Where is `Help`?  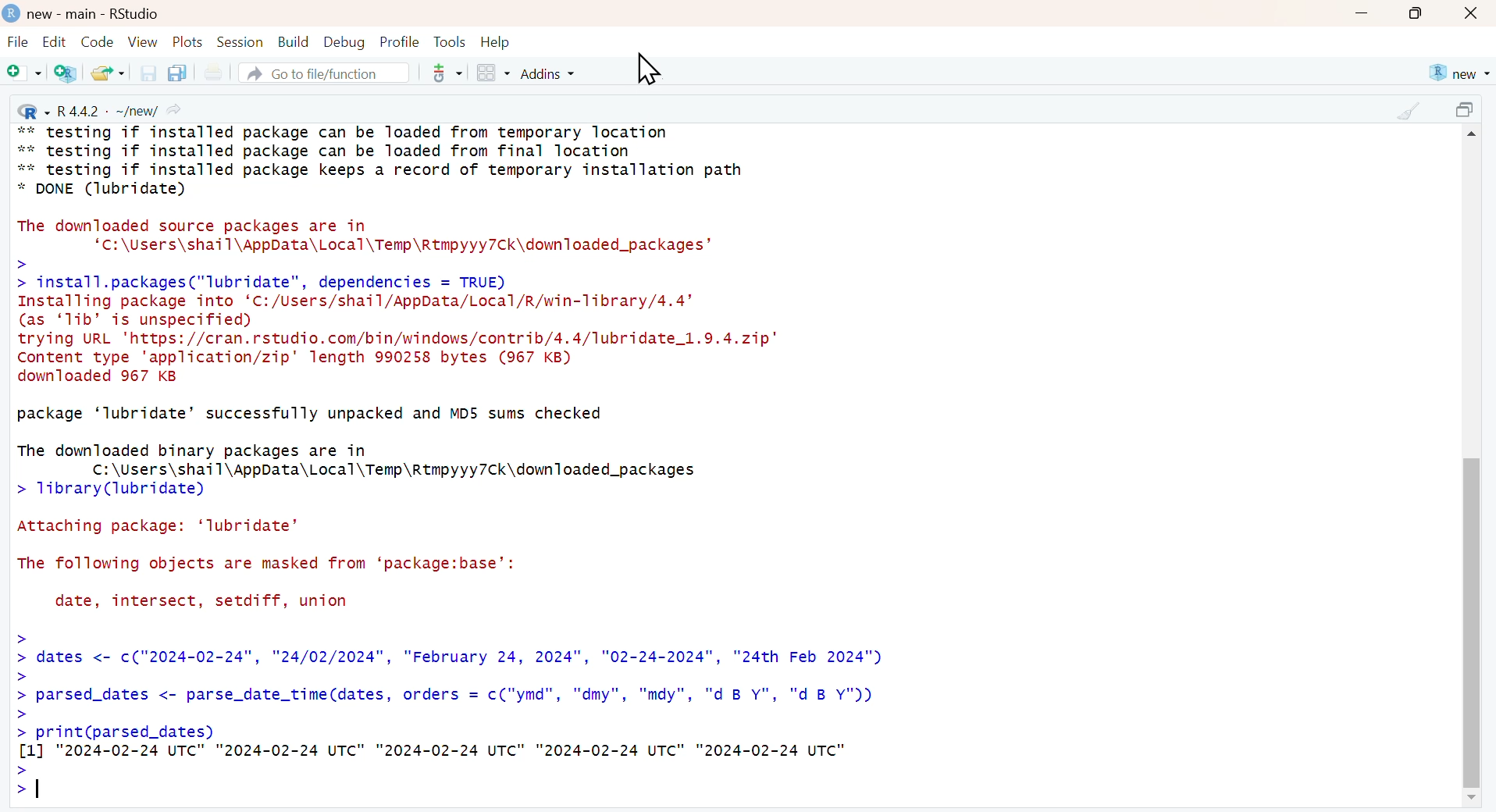 Help is located at coordinates (496, 42).